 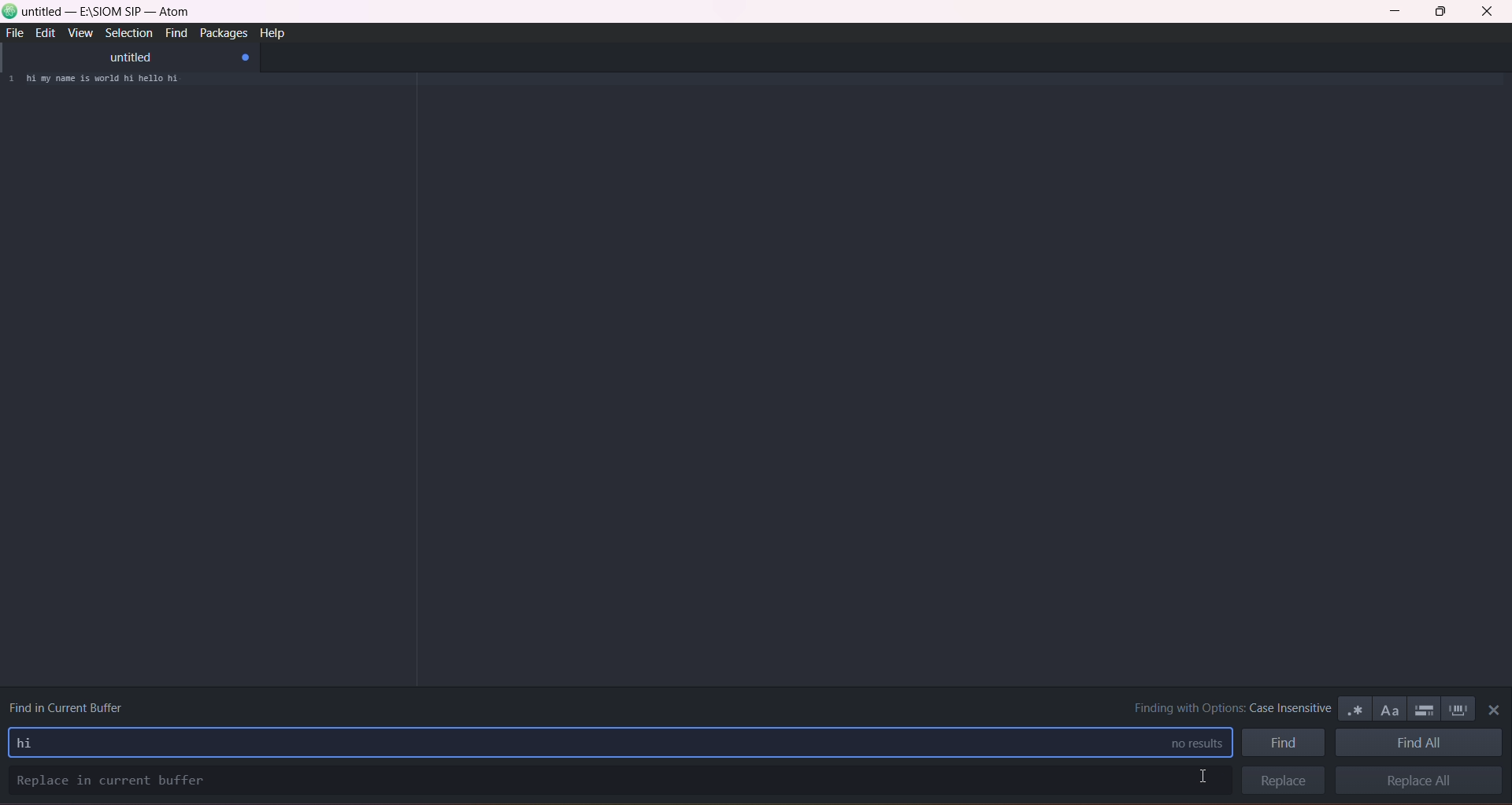 What do you see at coordinates (1280, 781) in the screenshot?
I see `replace` at bounding box center [1280, 781].